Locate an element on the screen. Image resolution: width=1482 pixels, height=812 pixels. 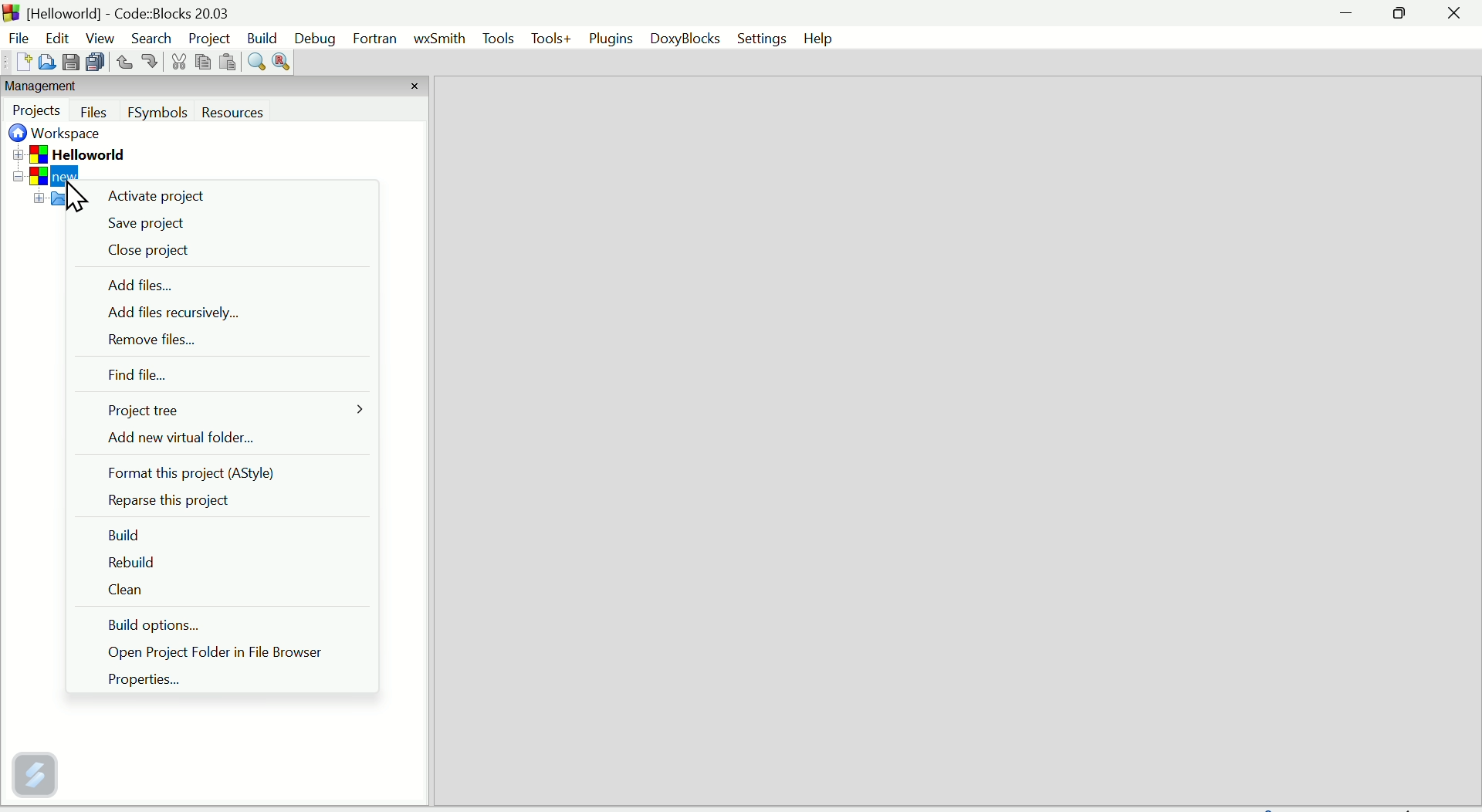
fortran is located at coordinates (378, 40).